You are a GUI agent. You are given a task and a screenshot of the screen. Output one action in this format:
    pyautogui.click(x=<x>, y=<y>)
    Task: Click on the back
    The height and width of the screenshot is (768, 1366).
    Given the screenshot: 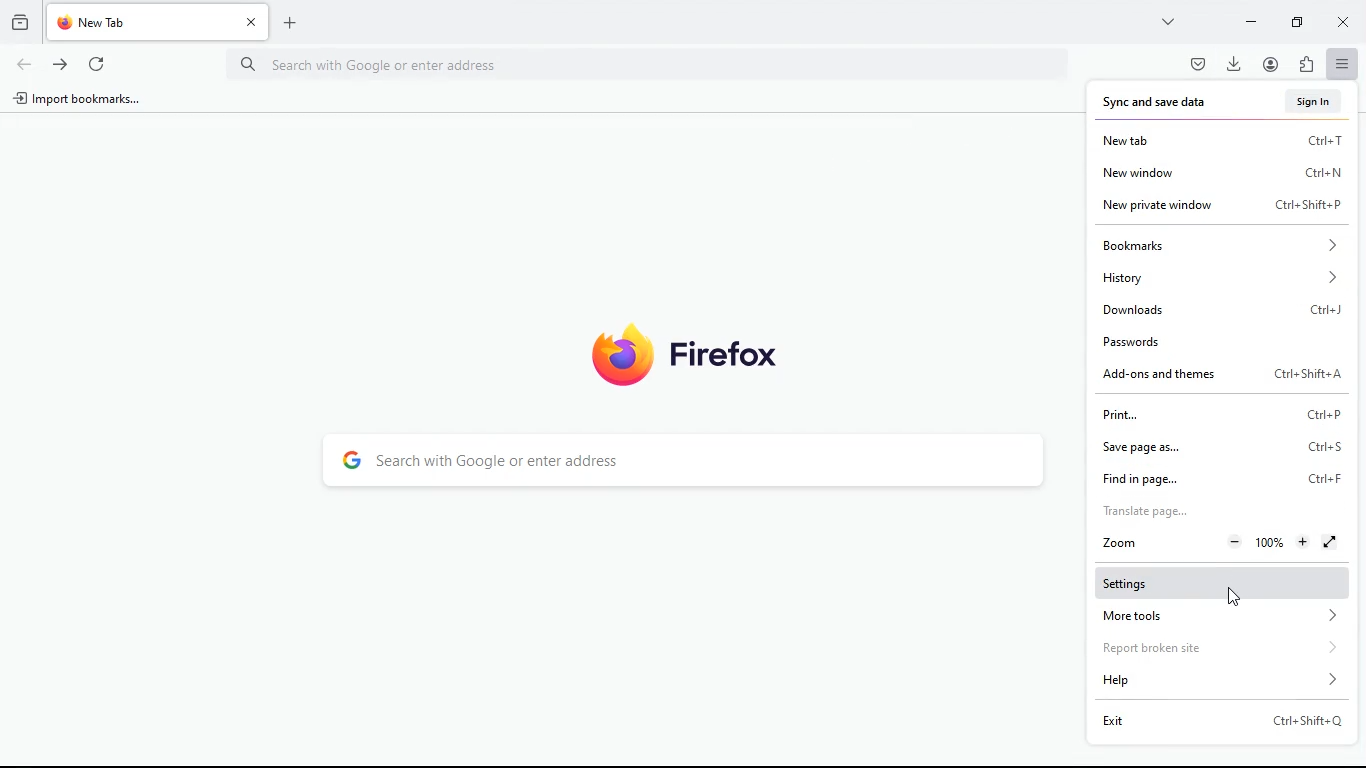 What is the action you would take?
    pyautogui.click(x=22, y=65)
    